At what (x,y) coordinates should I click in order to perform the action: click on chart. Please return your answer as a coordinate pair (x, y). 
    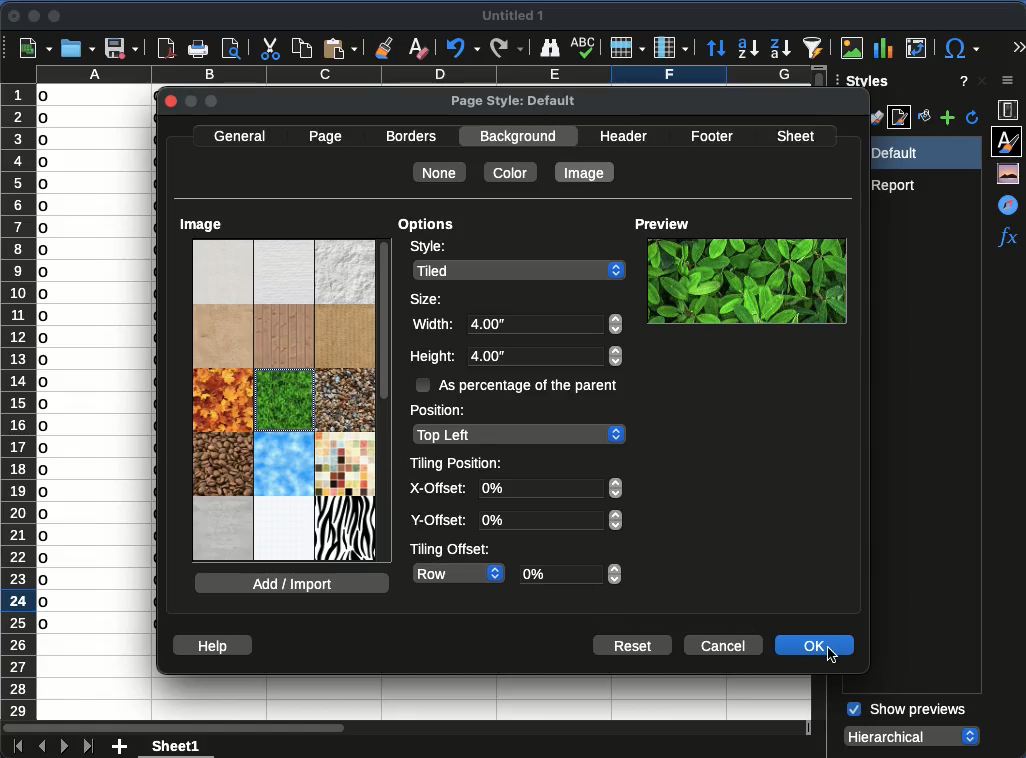
    Looking at the image, I should click on (882, 47).